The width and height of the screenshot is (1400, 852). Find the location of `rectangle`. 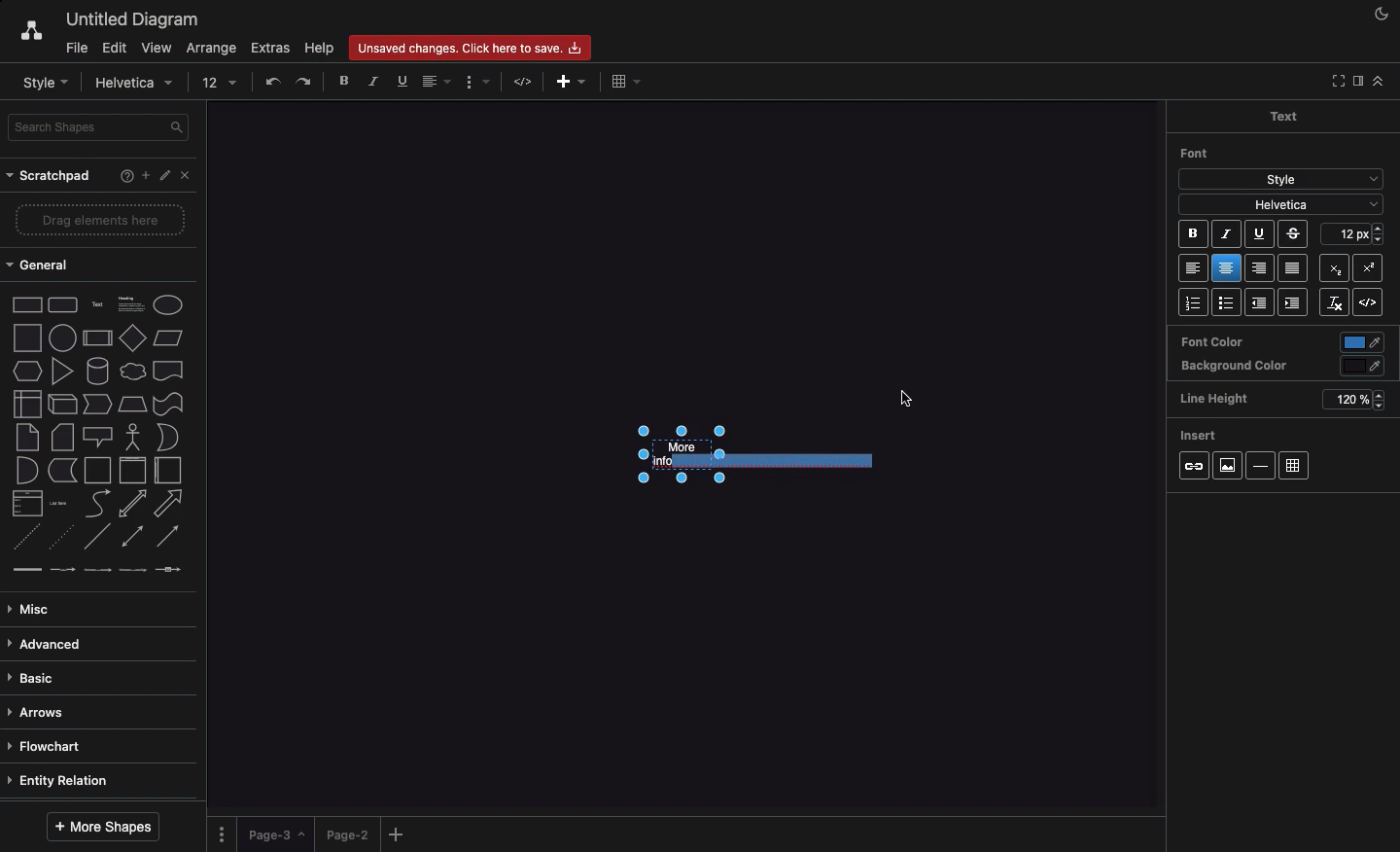

rectangle is located at coordinates (28, 304).